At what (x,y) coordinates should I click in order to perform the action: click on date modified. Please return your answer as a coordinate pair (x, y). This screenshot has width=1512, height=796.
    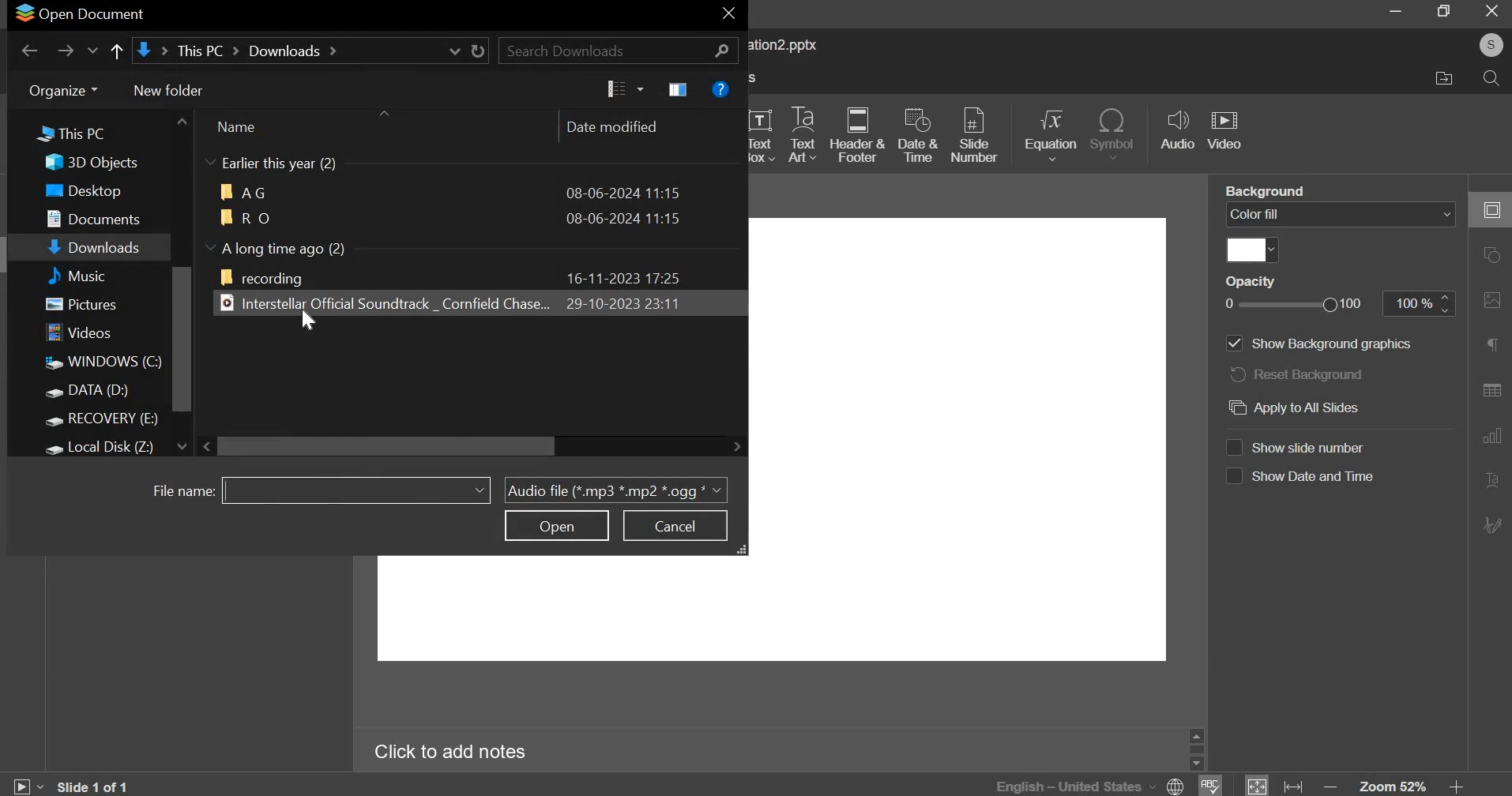
    Looking at the image, I should click on (619, 127).